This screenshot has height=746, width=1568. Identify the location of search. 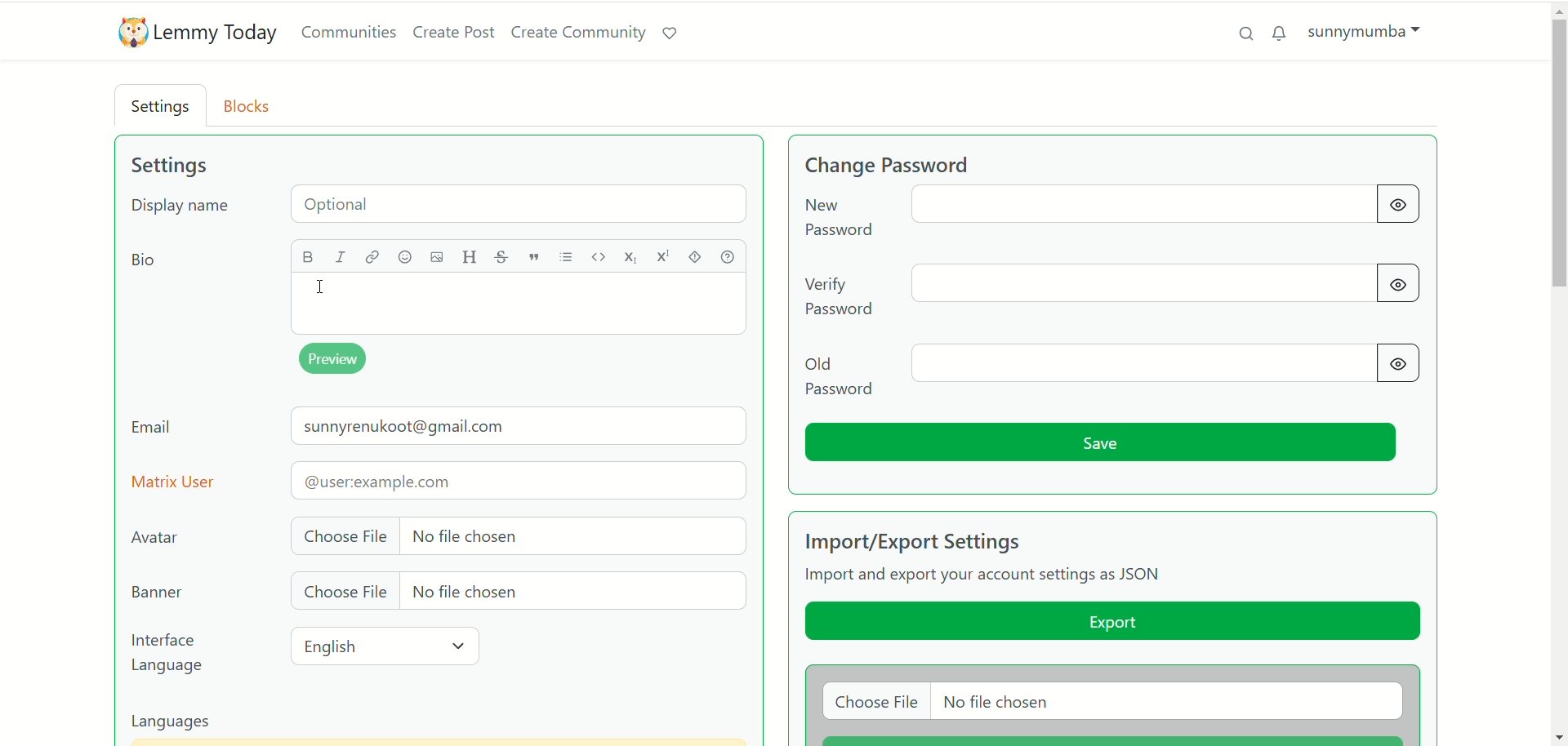
(1241, 32).